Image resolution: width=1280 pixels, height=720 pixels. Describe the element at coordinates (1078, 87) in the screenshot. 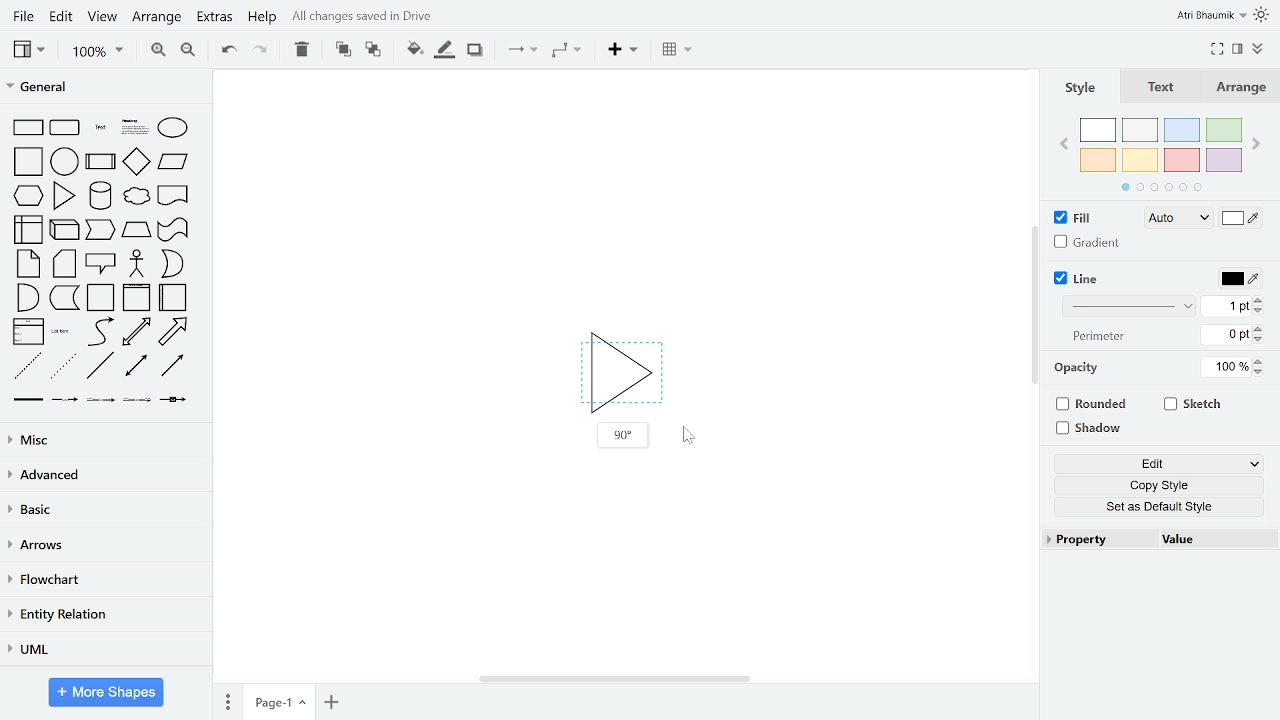

I see `styles` at that location.